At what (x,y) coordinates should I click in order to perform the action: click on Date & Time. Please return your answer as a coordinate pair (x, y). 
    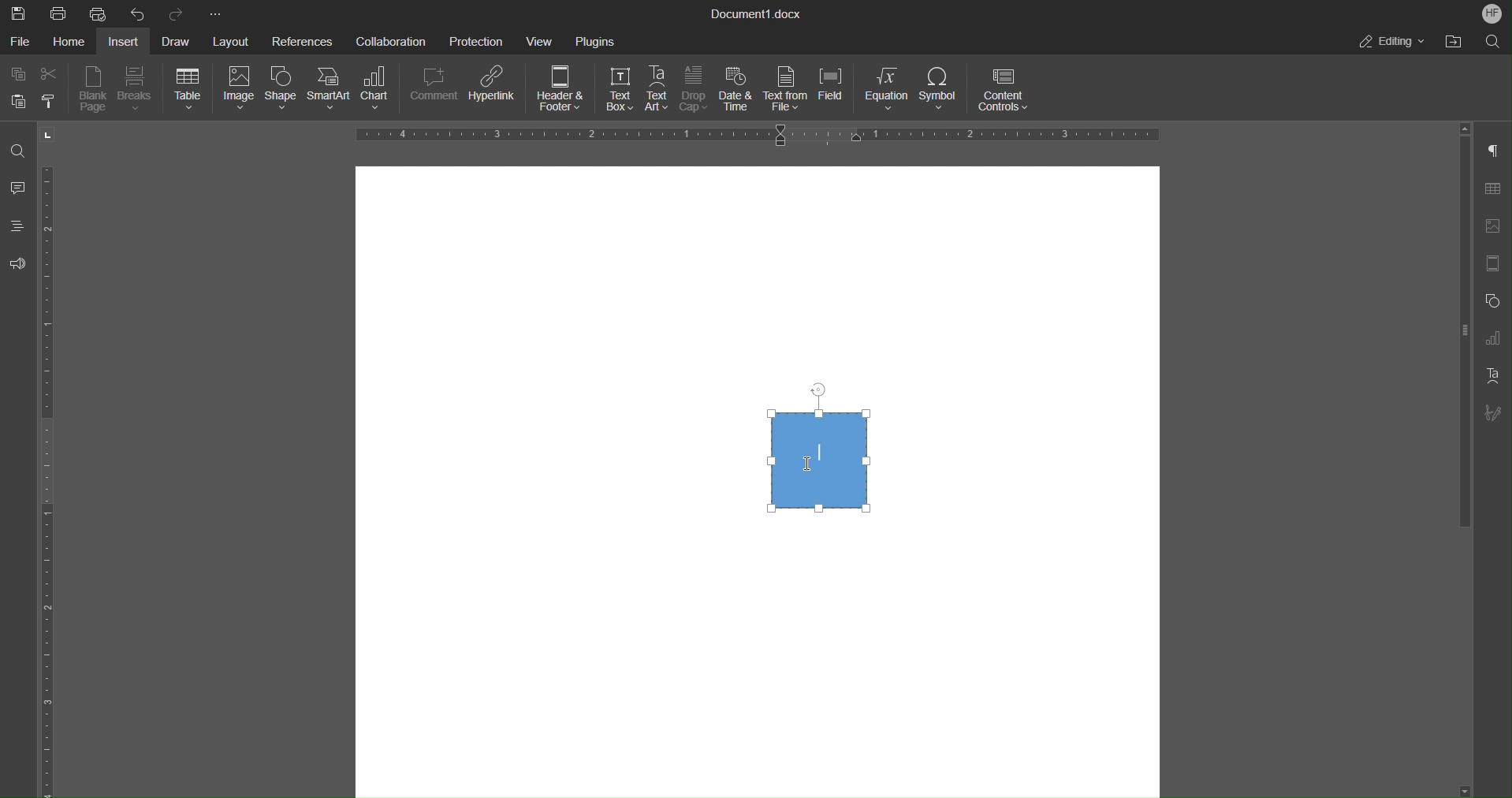
    Looking at the image, I should click on (738, 91).